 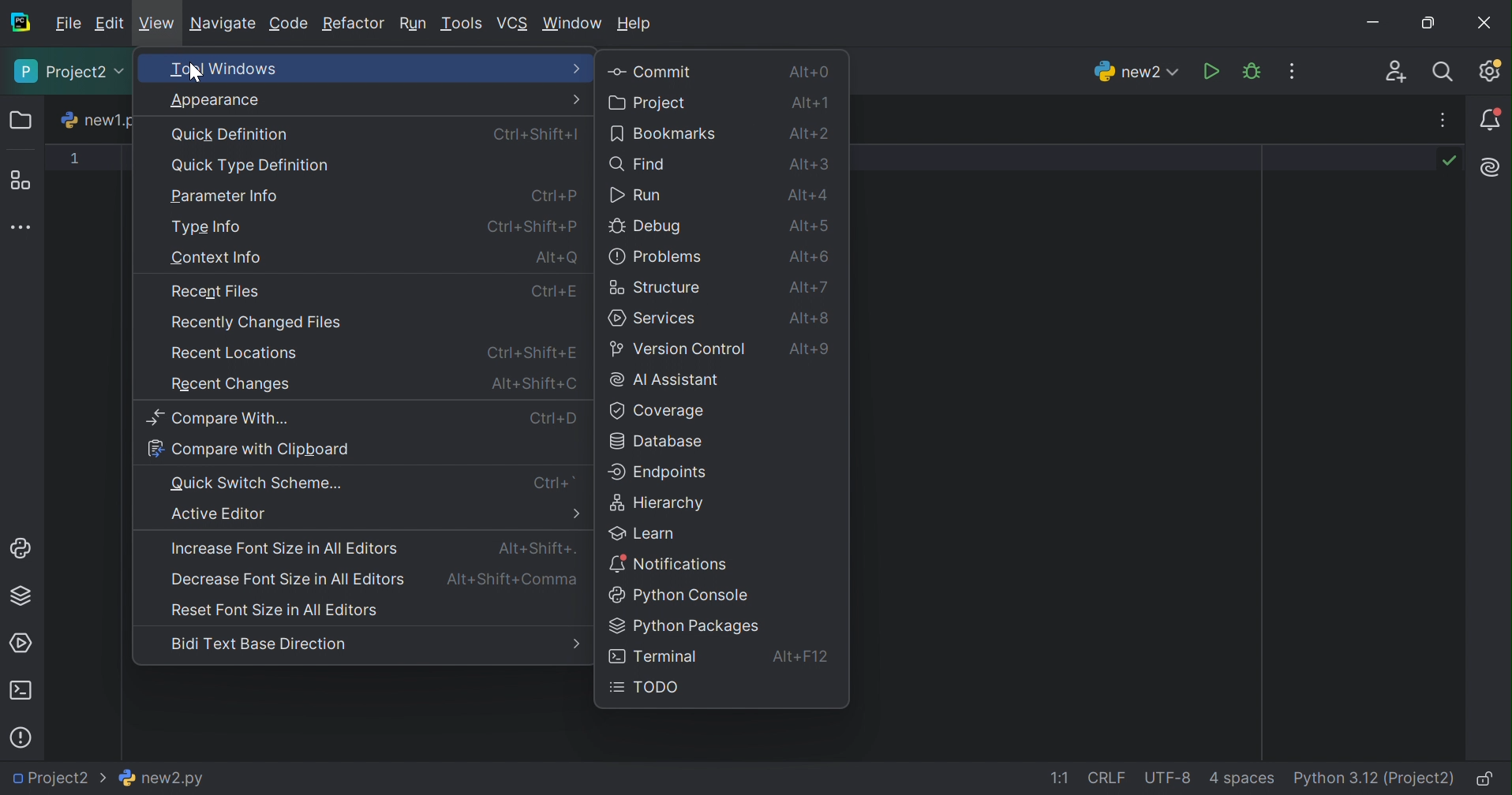 What do you see at coordinates (215, 291) in the screenshot?
I see `Recent files` at bounding box center [215, 291].